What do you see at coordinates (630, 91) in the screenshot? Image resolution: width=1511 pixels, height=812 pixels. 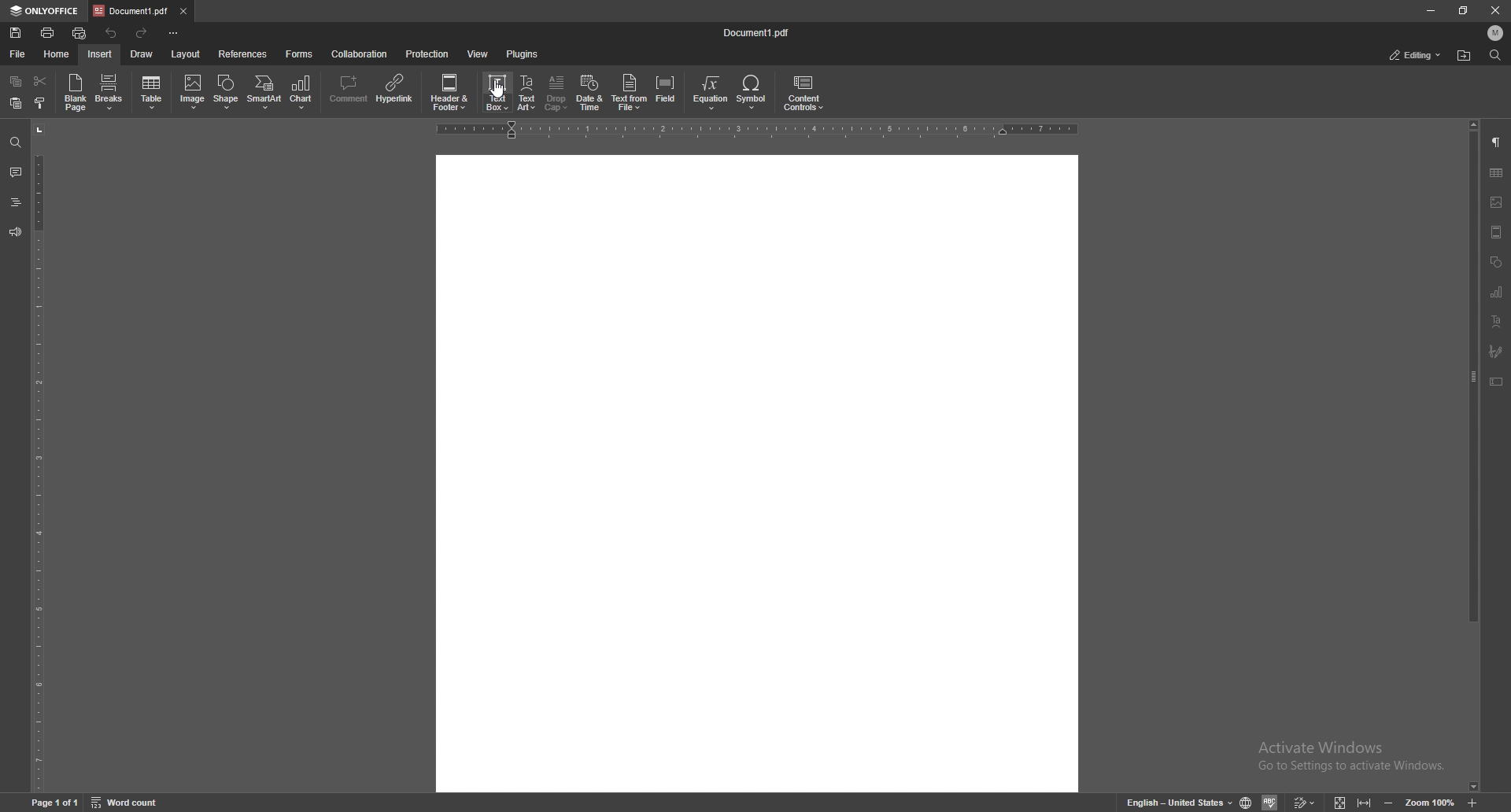 I see `text from file` at bounding box center [630, 91].